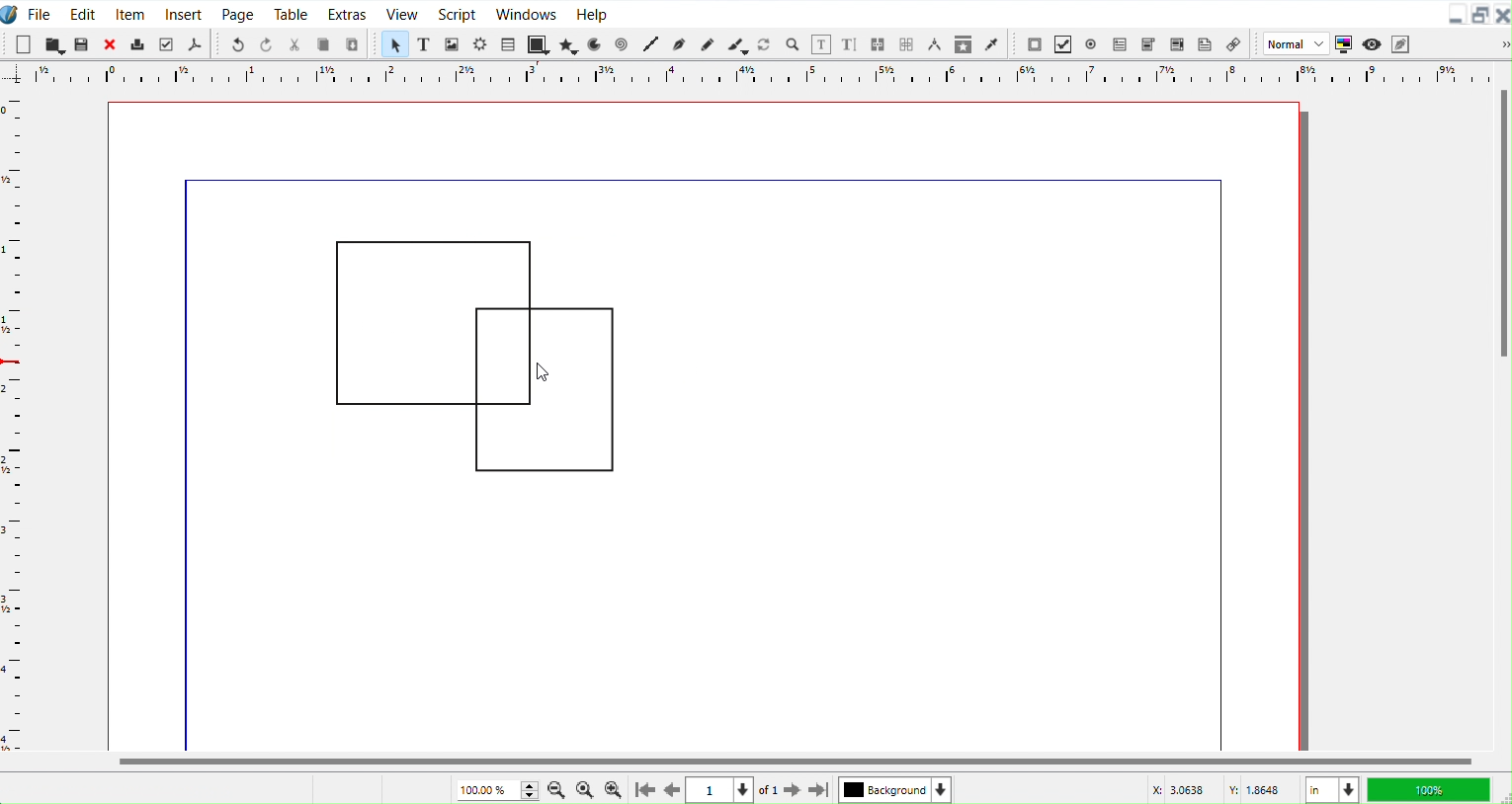 The height and width of the screenshot is (804, 1512). Describe the element at coordinates (880, 44) in the screenshot. I see `Link text frame` at that location.